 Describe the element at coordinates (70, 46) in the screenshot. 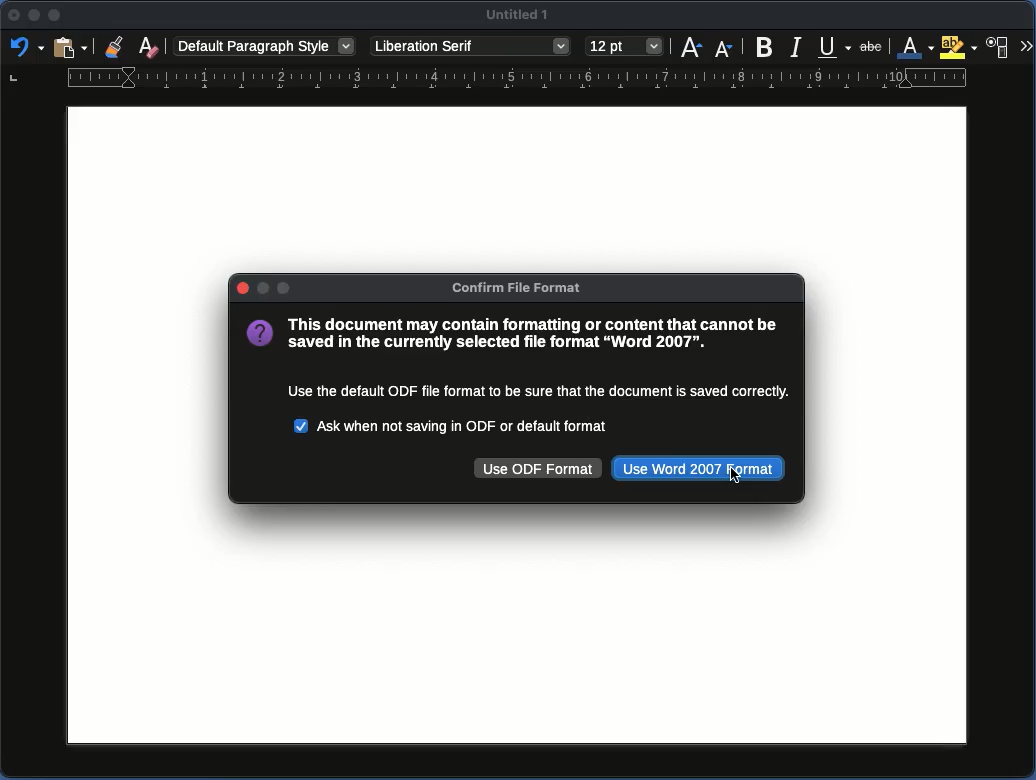

I see `Clipboard` at that location.